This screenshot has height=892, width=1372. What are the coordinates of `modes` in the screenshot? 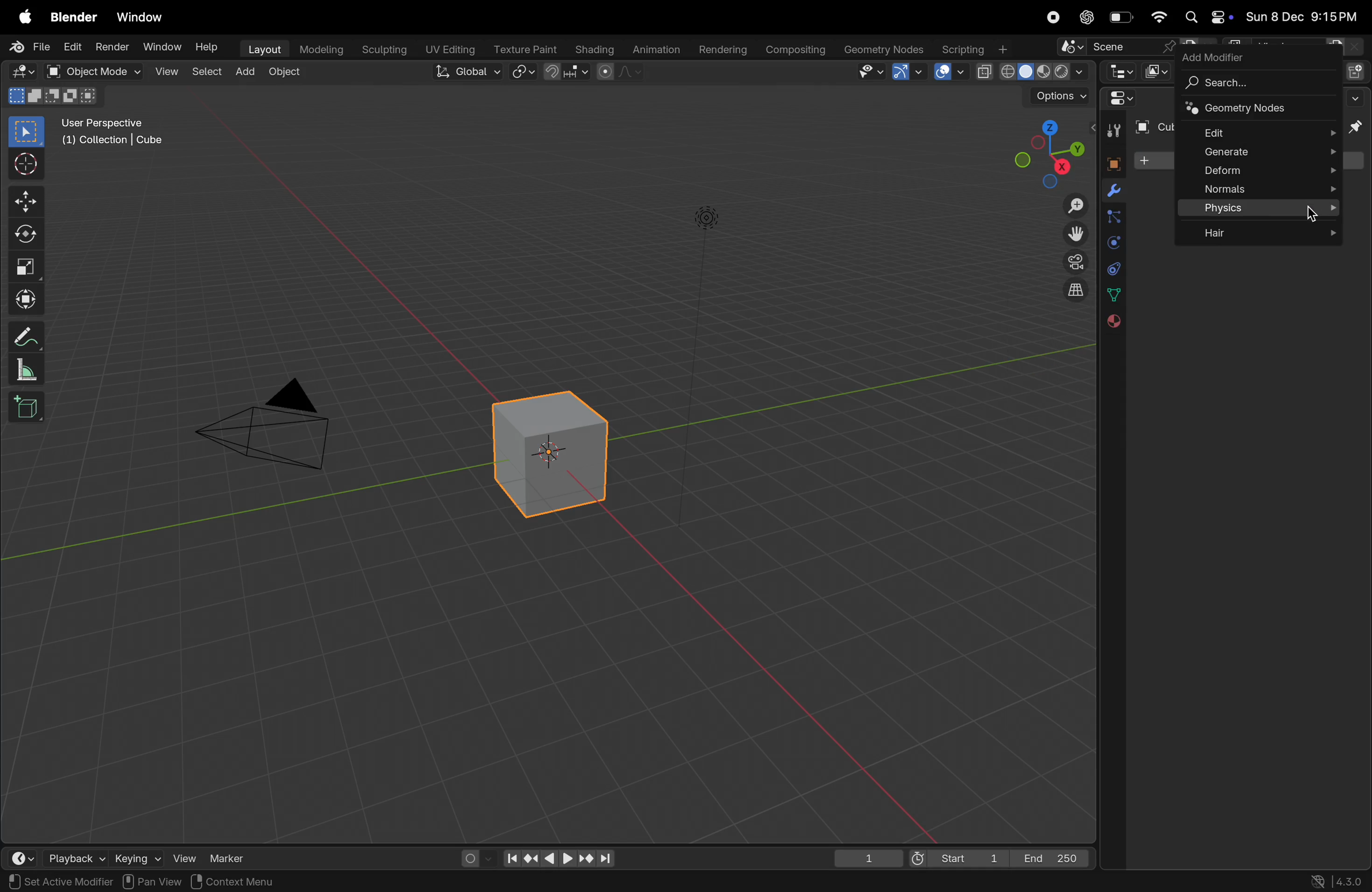 It's located at (52, 96).